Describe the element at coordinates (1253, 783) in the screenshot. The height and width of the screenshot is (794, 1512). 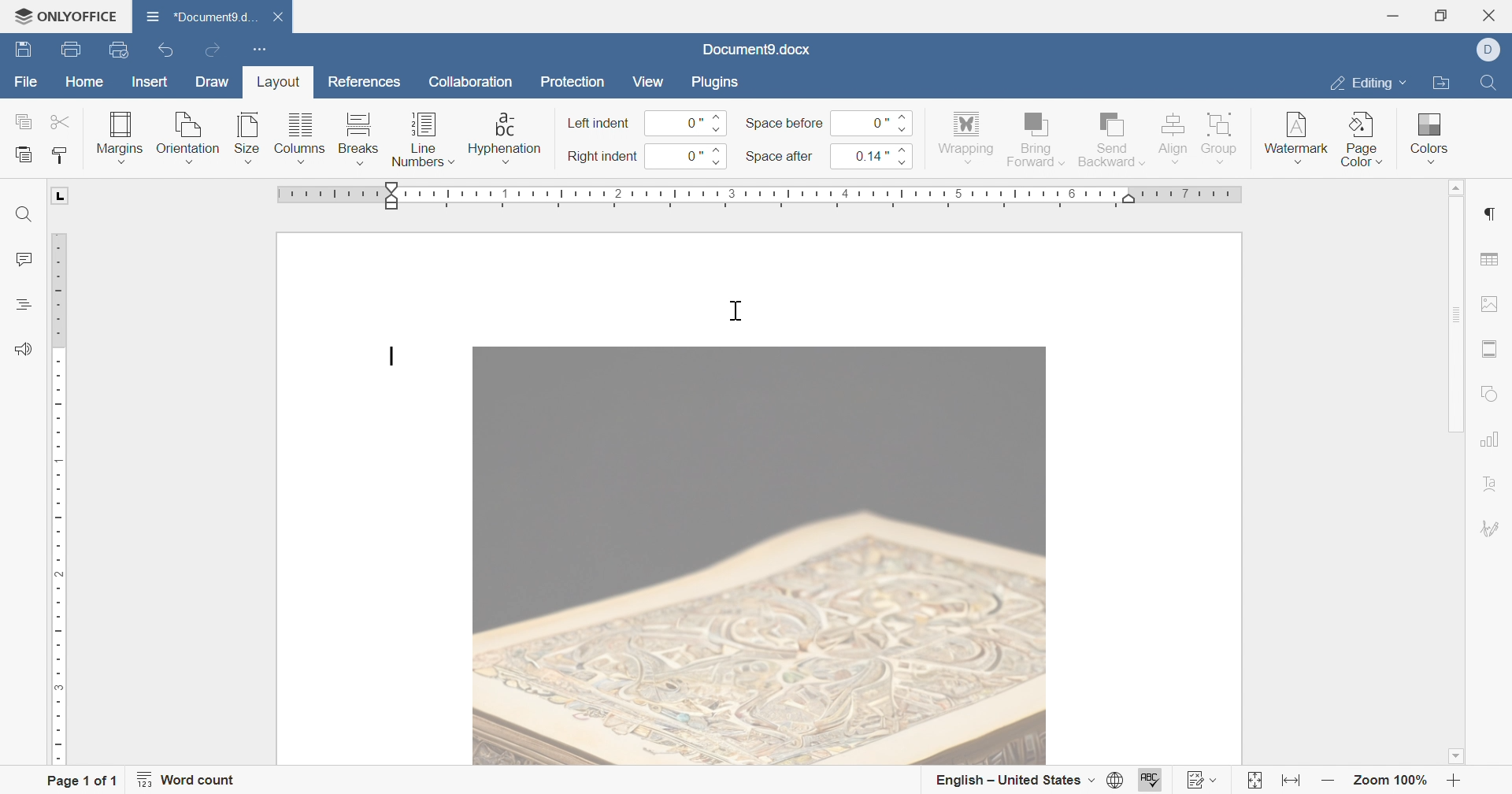
I see `fit to page` at that location.